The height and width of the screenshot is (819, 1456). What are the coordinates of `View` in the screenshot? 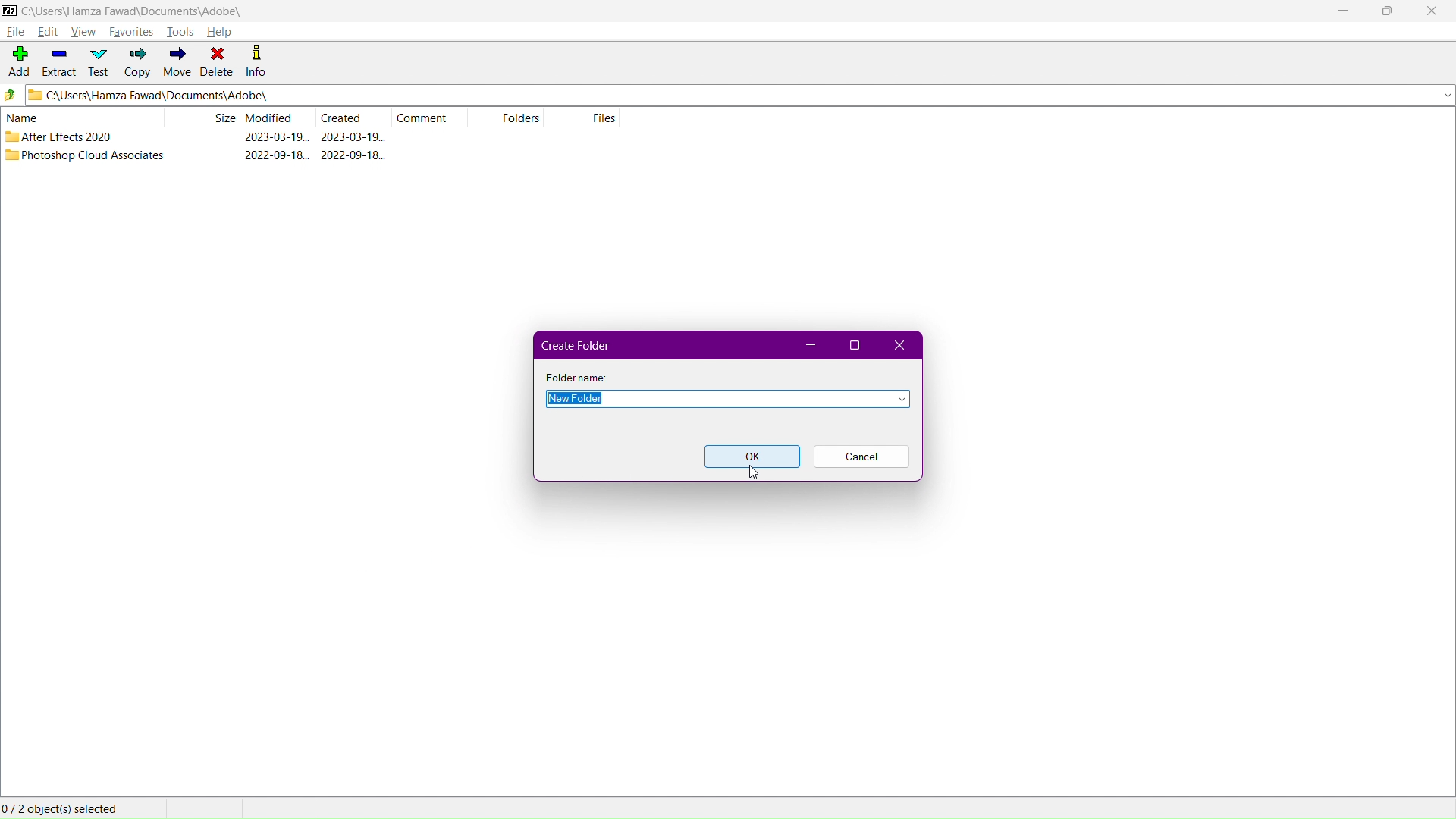 It's located at (83, 30).